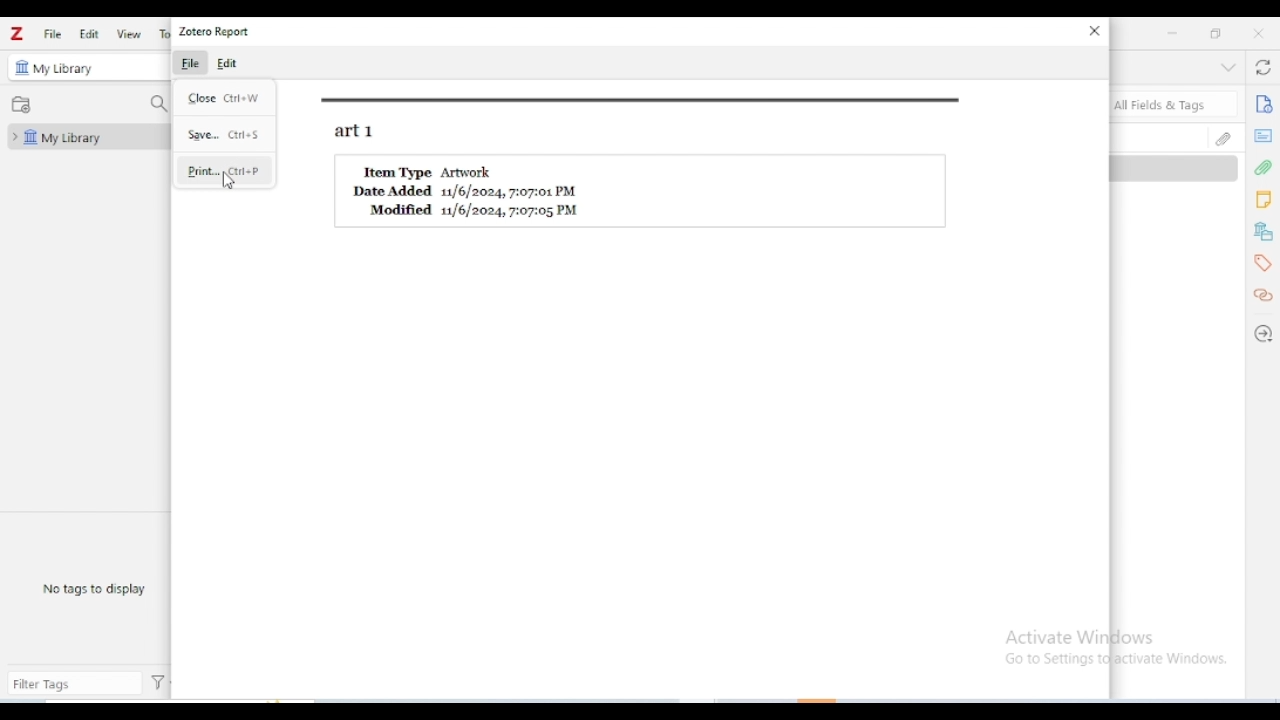  Describe the element at coordinates (1265, 264) in the screenshot. I see `tags` at that location.